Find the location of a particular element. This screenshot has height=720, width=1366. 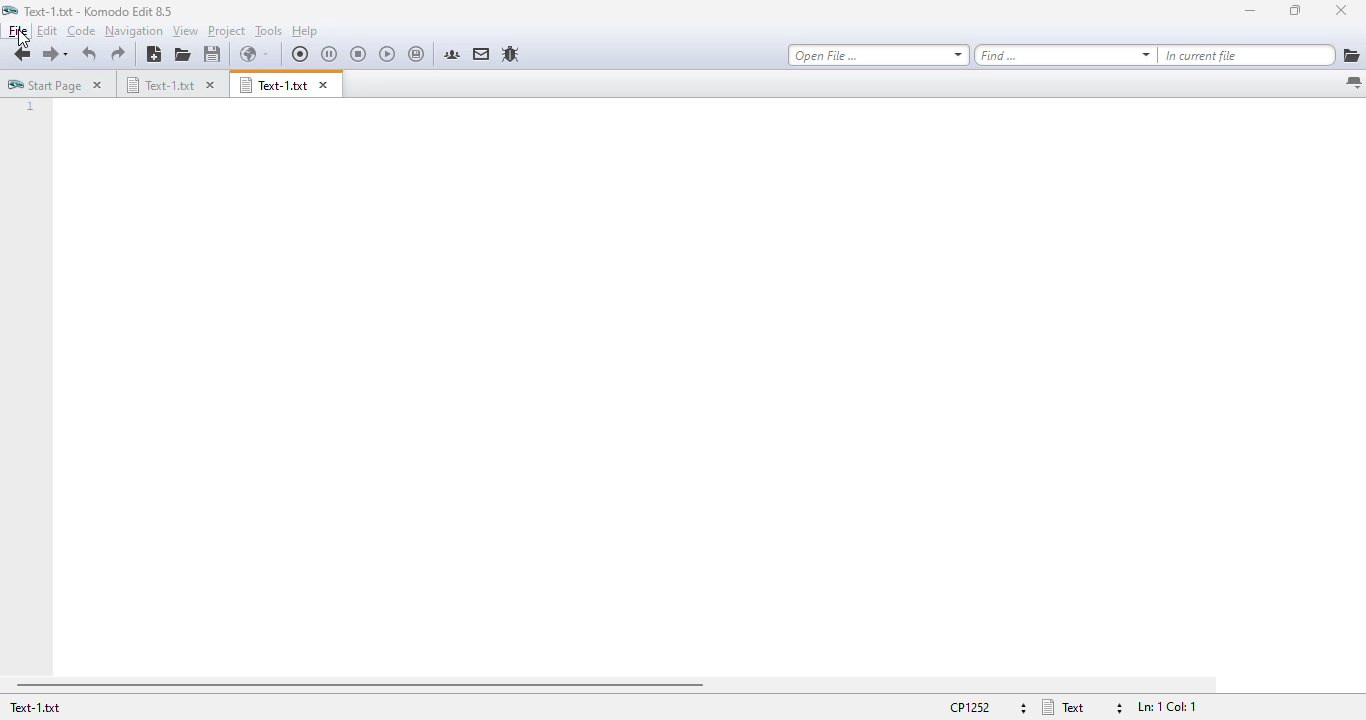

view is located at coordinates (185, 31).